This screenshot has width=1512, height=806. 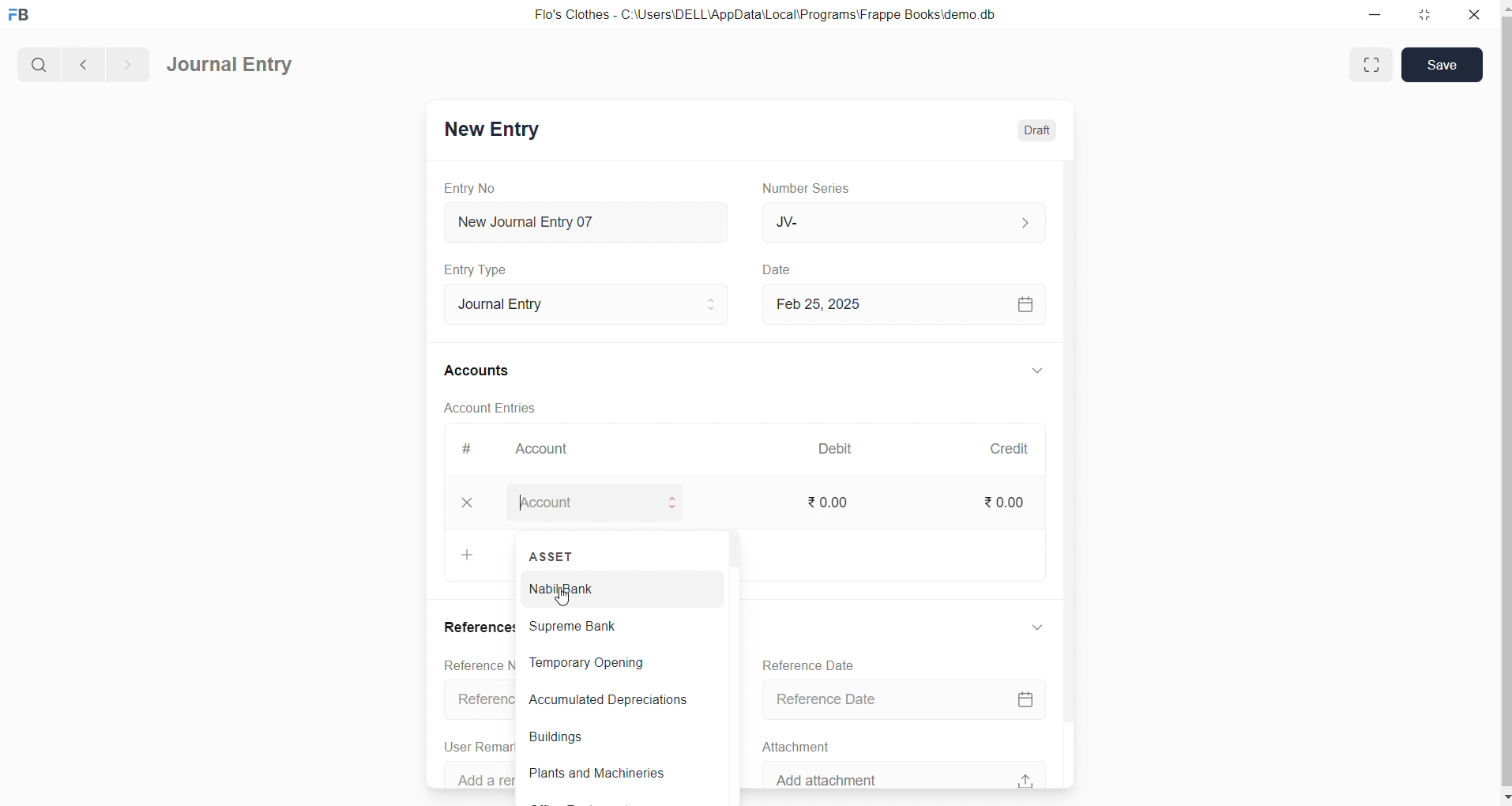 What do you see at coordinates (611, 739) in the screenshot?
I see `Buildings` at bounding box center [611, 739].